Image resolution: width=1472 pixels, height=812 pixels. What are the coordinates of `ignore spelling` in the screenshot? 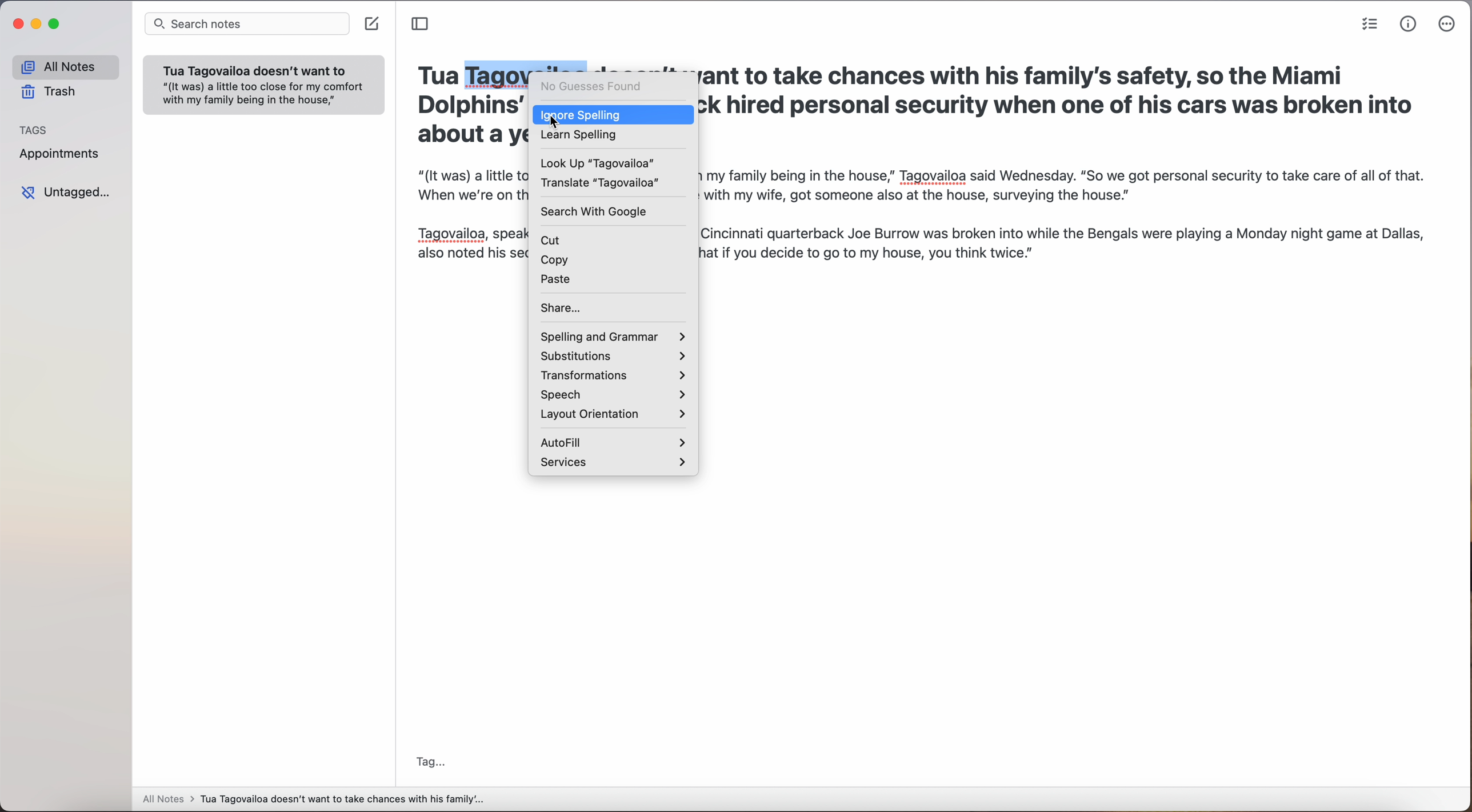 It's located at (629, 114).